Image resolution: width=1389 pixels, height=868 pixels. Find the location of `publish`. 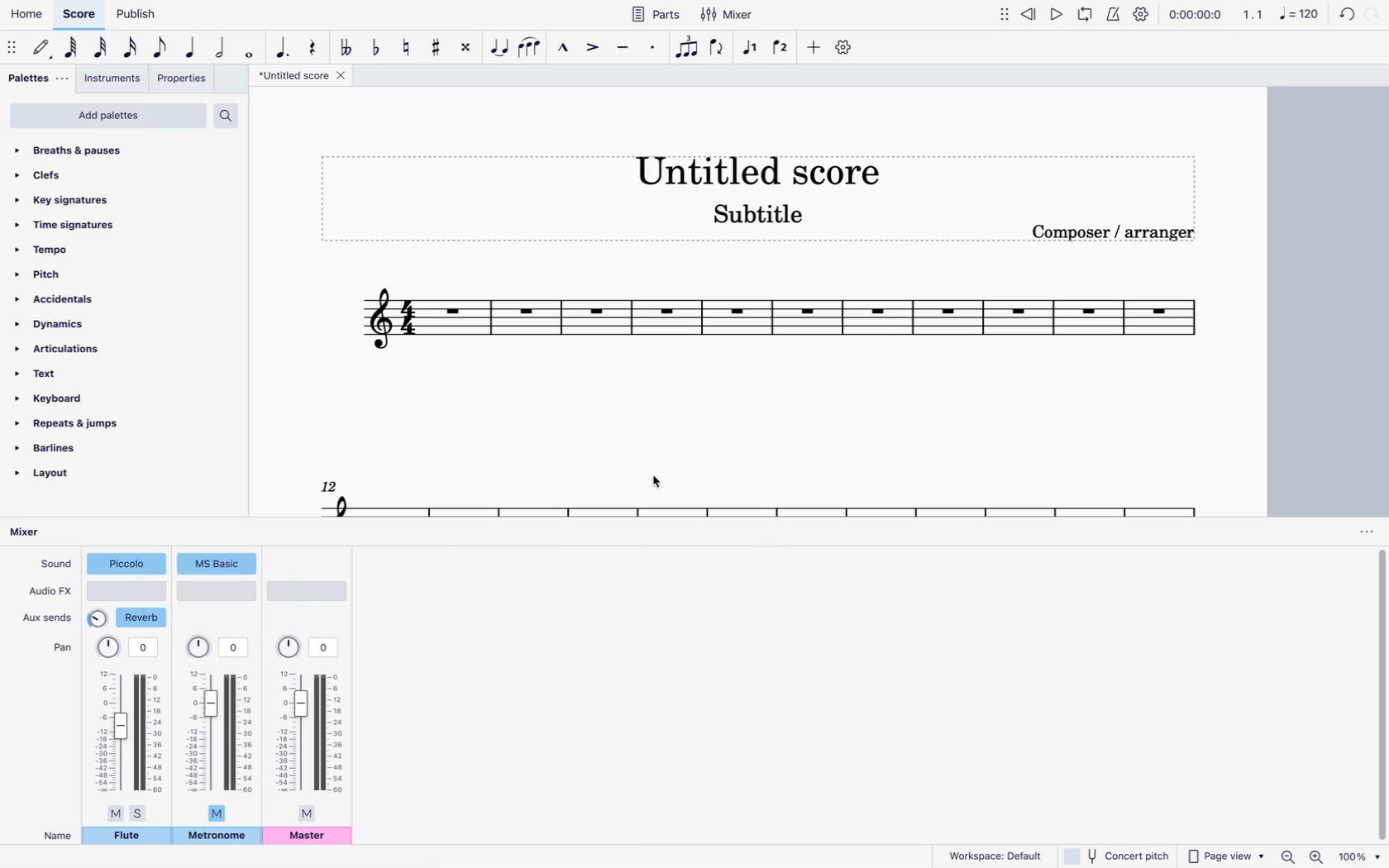

publish is located at coordinates (139, 13).